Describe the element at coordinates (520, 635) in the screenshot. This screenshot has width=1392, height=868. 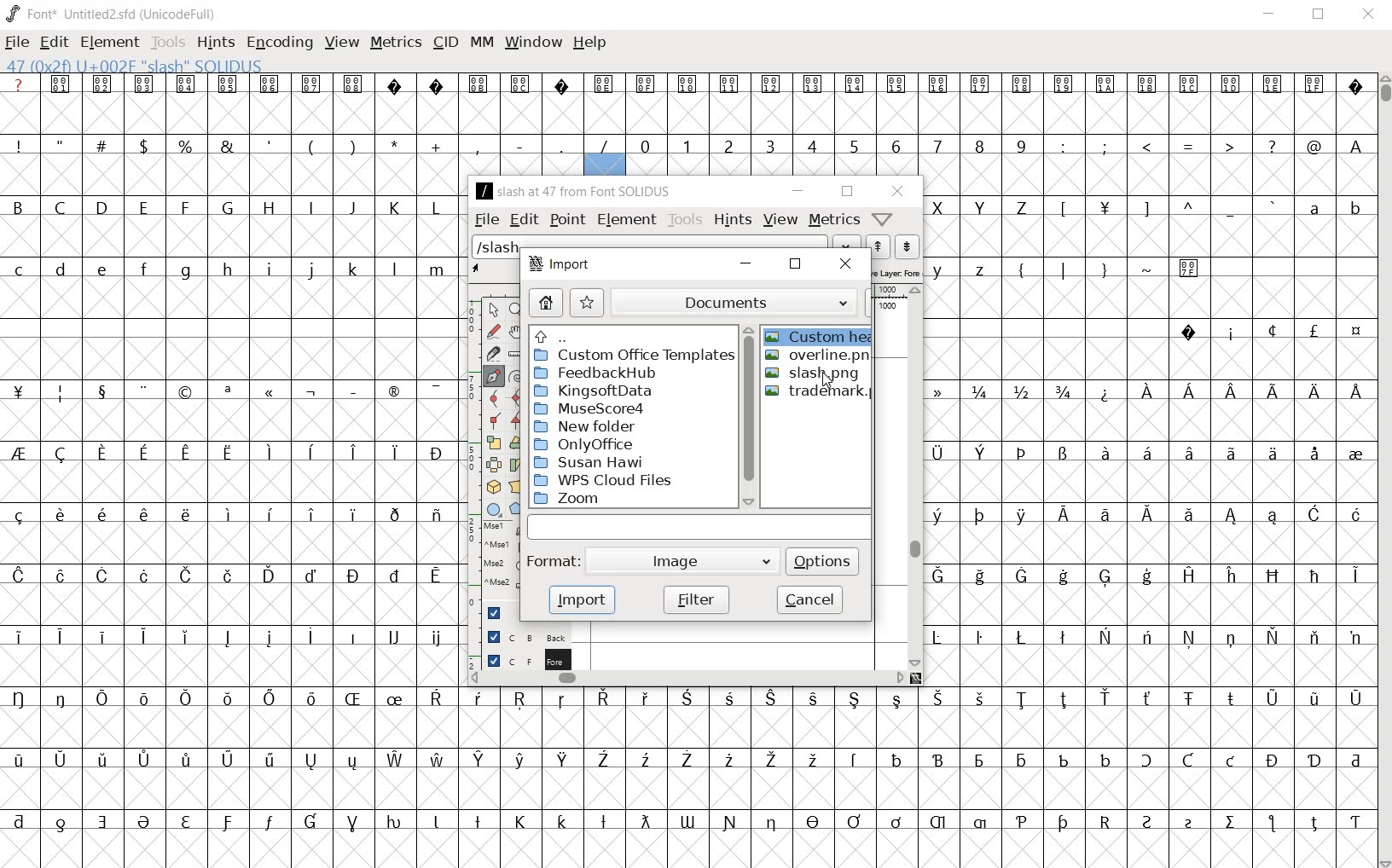
I see `background` at that location.